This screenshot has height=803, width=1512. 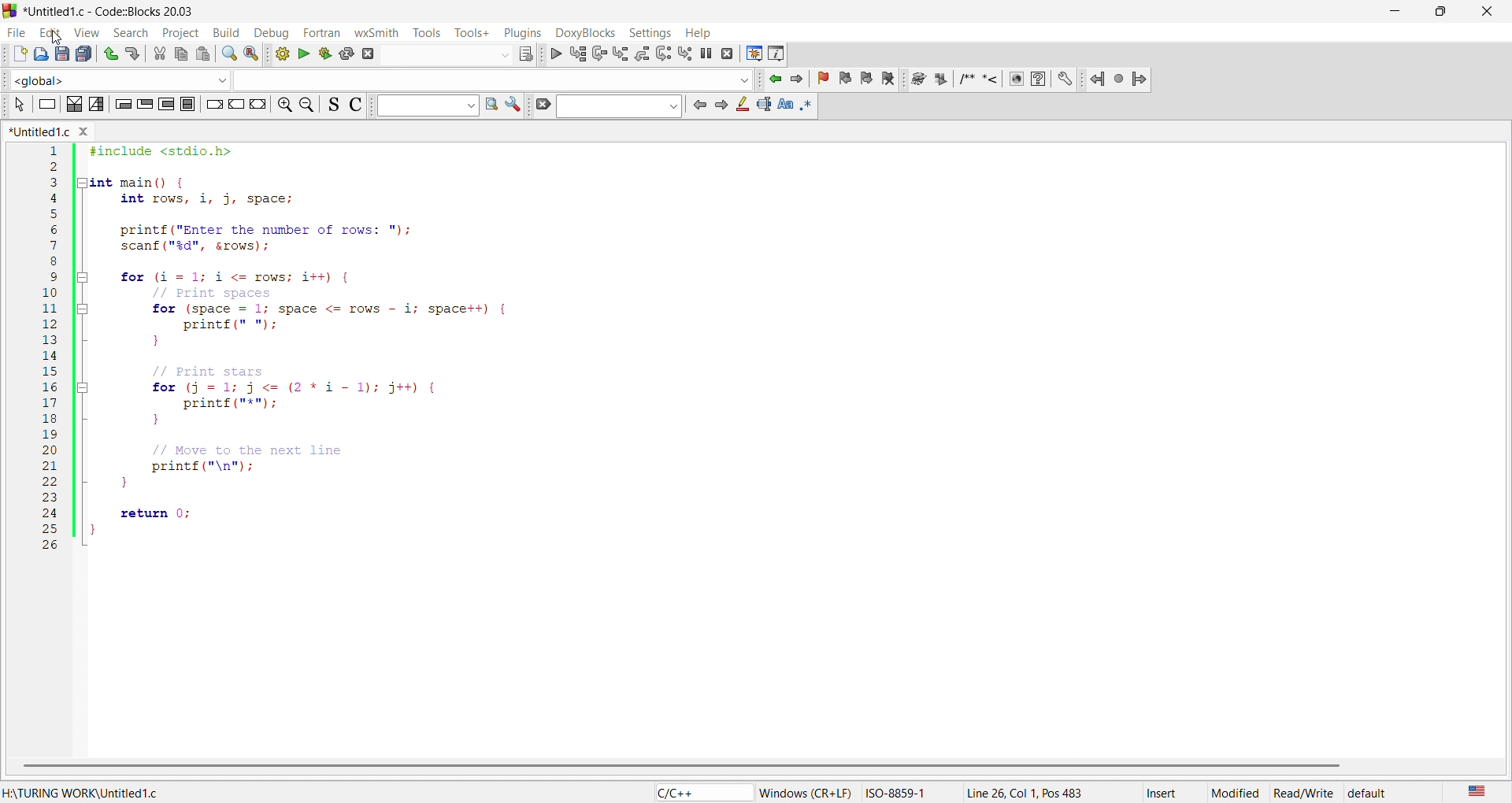 I want to click on tools+, so click(x=475, y=35).